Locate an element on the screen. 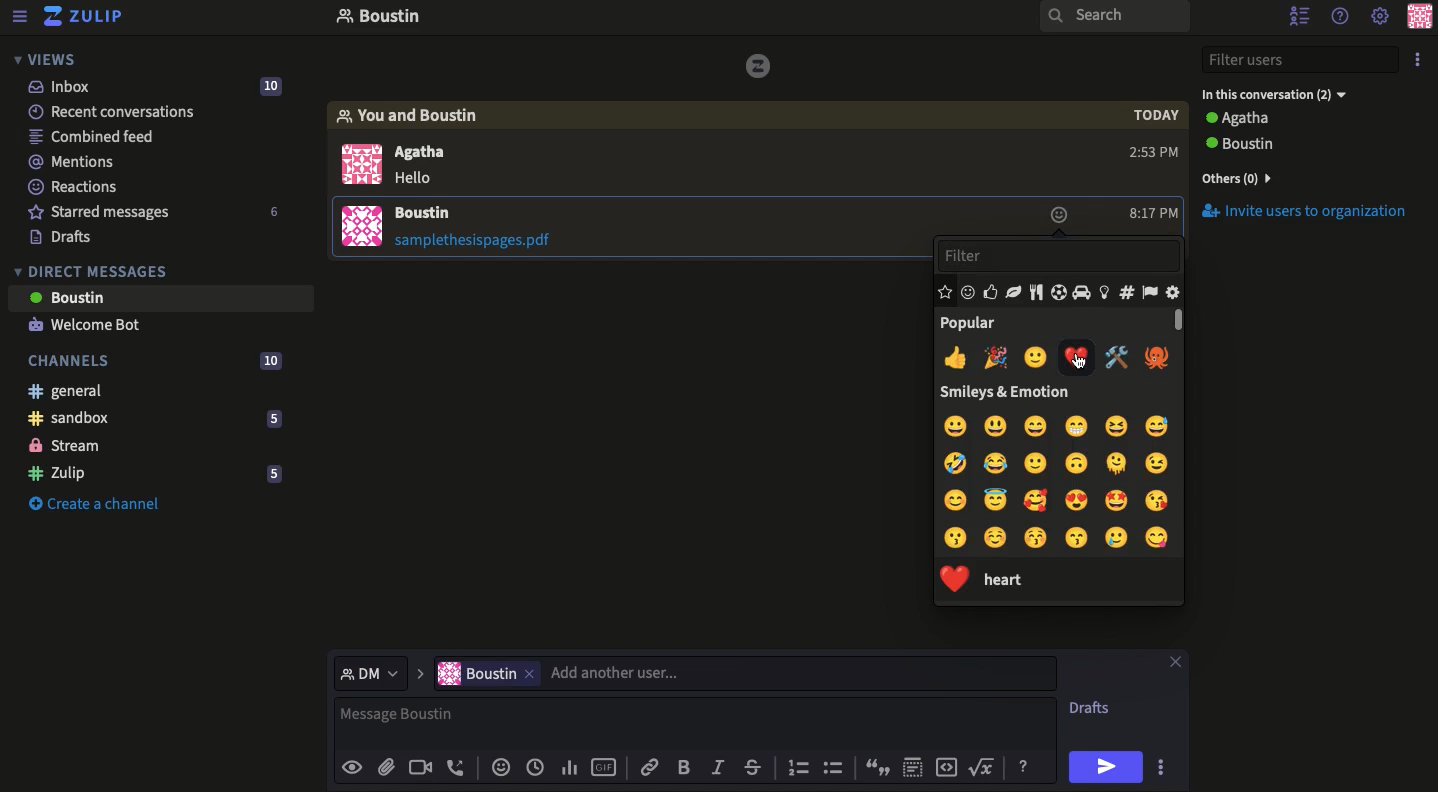  grinning is located at coordinates (952, 424).